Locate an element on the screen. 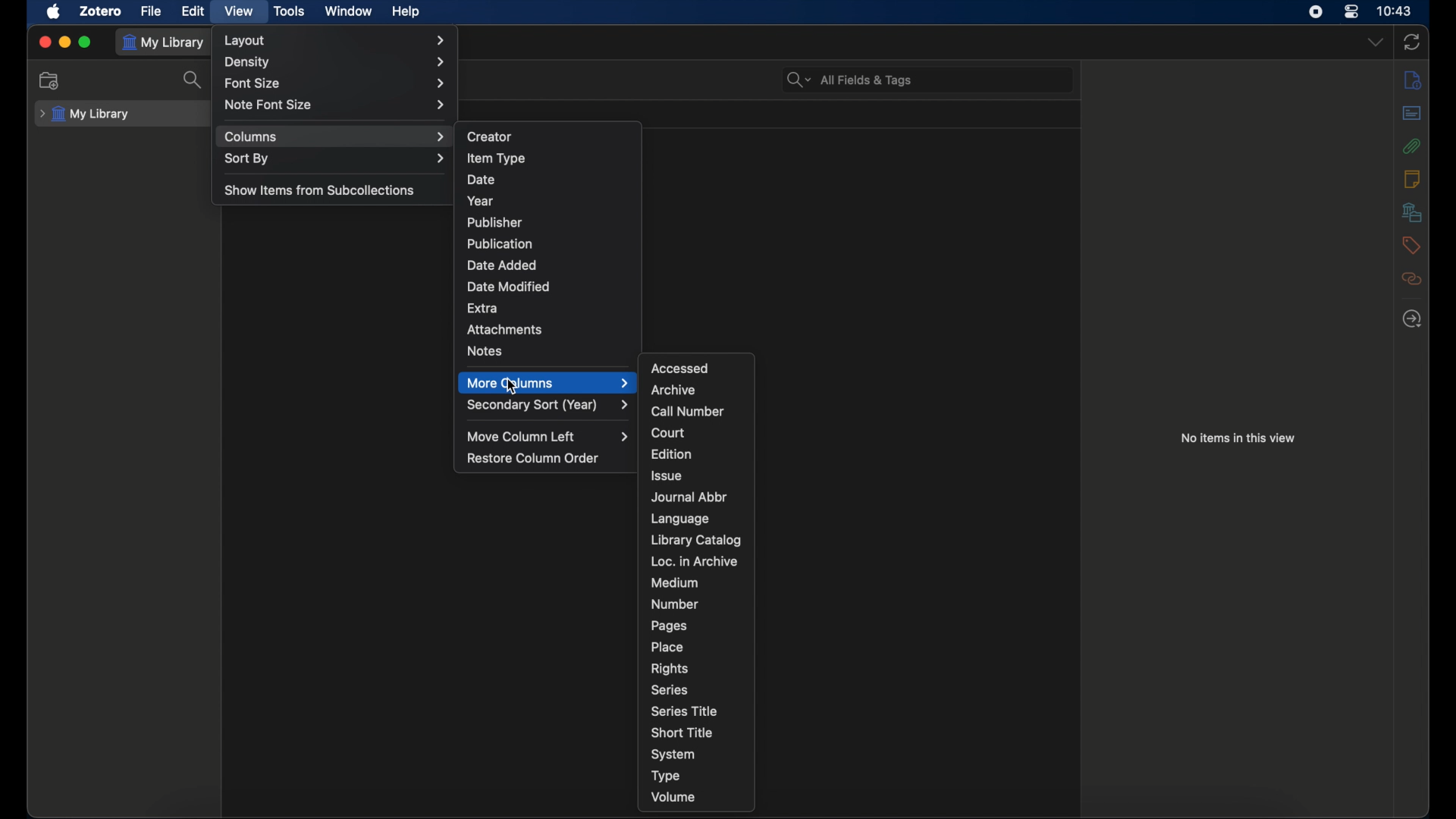  abstract is located at coordinates (1411, 112).